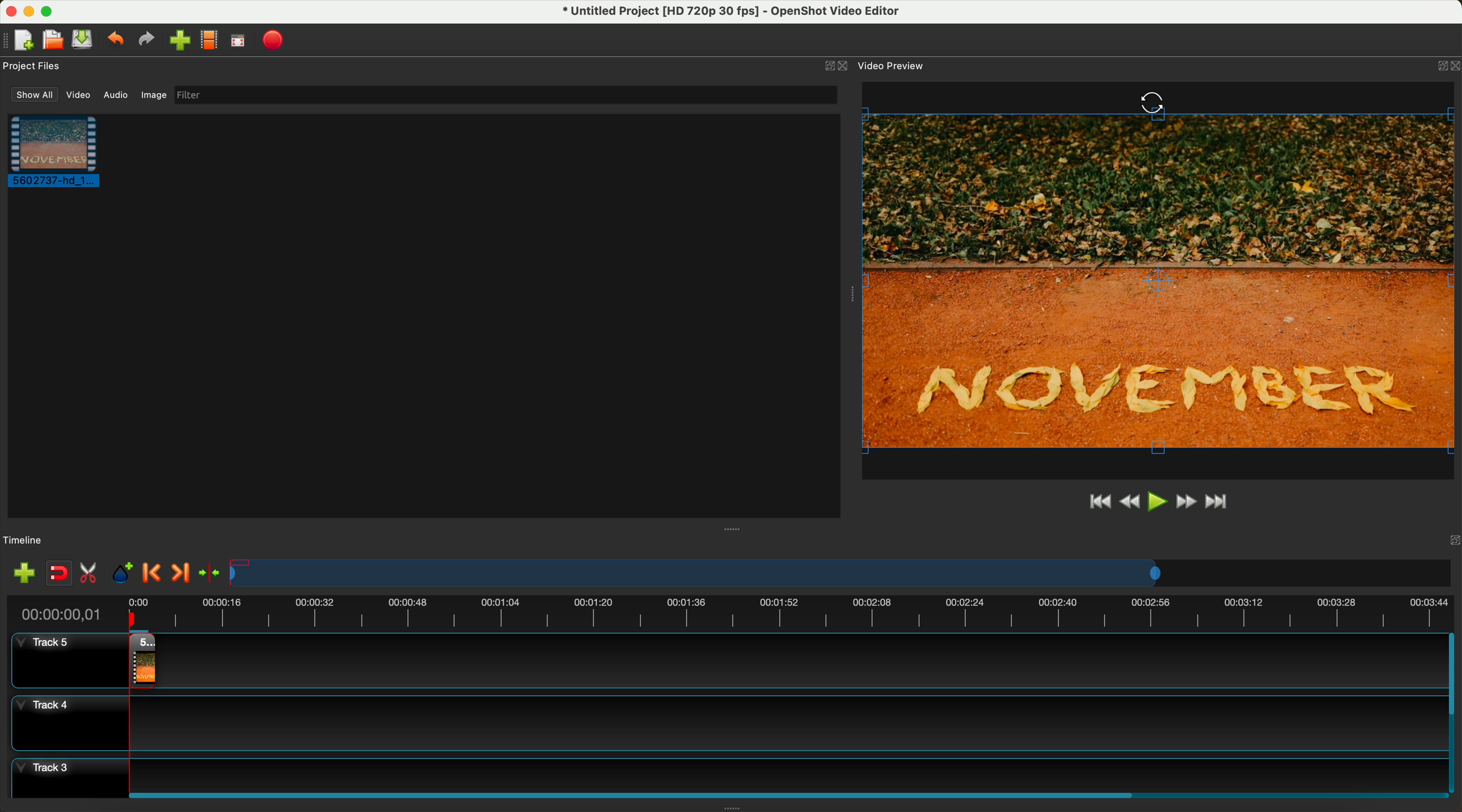 This screenshot has width=1462, height=812. What do you see at coordinates (208, 40) in the screenshot?
I see `choose profile` at bounding box center [208, 40].